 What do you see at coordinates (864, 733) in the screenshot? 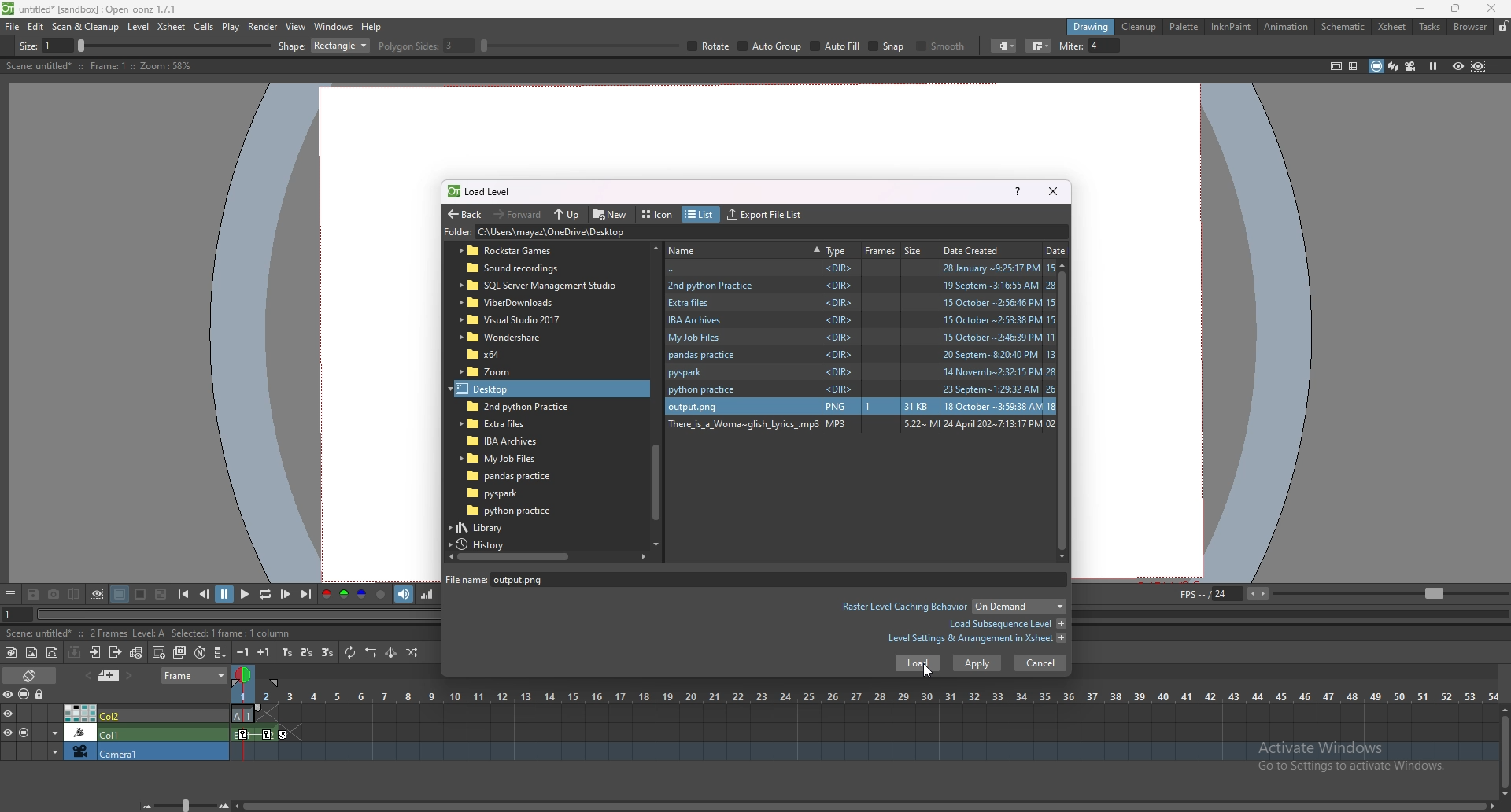
I see `timeline` at bounding box center [864, 733].